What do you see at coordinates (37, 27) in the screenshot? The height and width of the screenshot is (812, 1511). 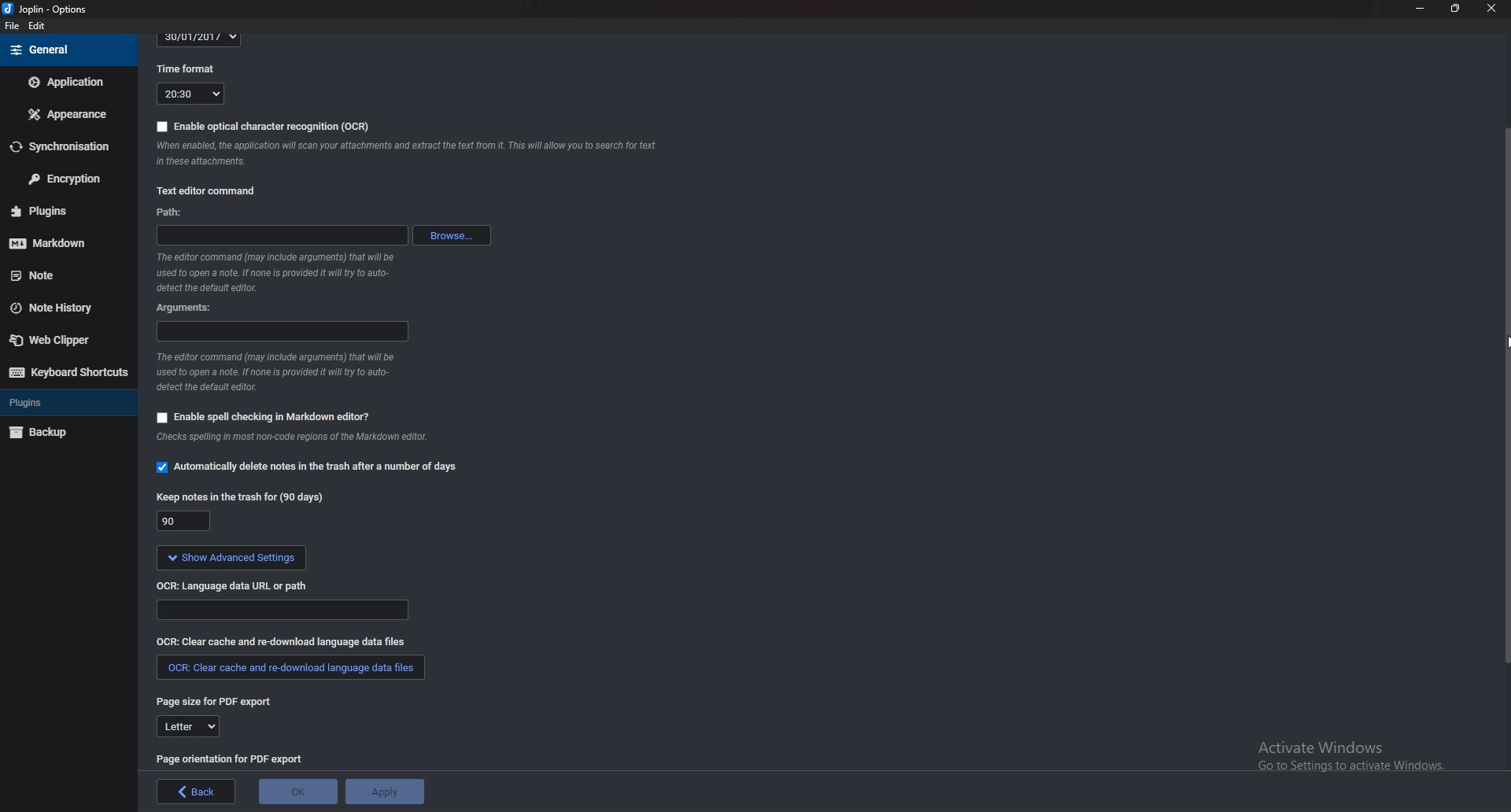 I see `edit` at bounding box center [37, 27].